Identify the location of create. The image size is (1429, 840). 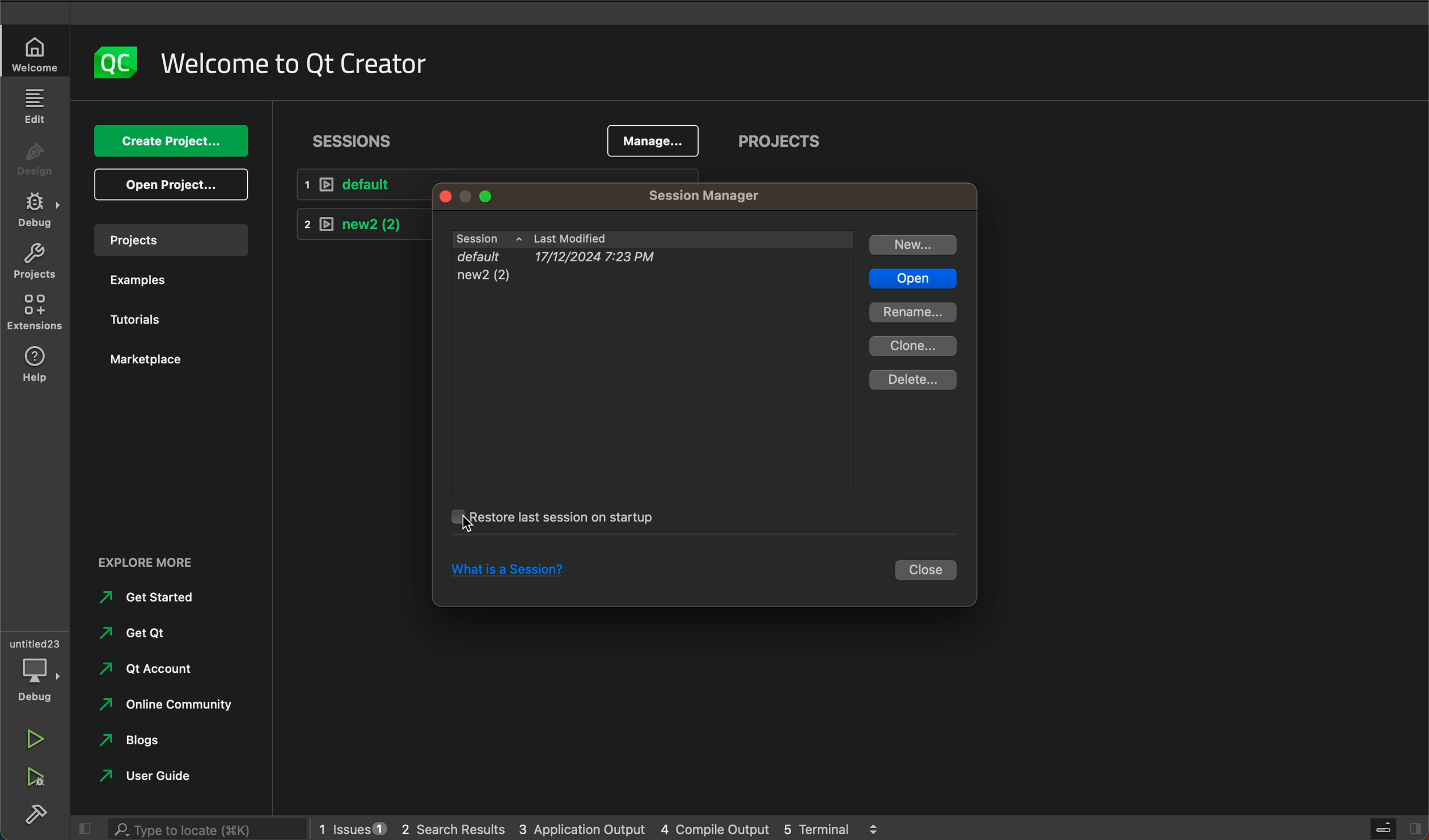
(172, 137).